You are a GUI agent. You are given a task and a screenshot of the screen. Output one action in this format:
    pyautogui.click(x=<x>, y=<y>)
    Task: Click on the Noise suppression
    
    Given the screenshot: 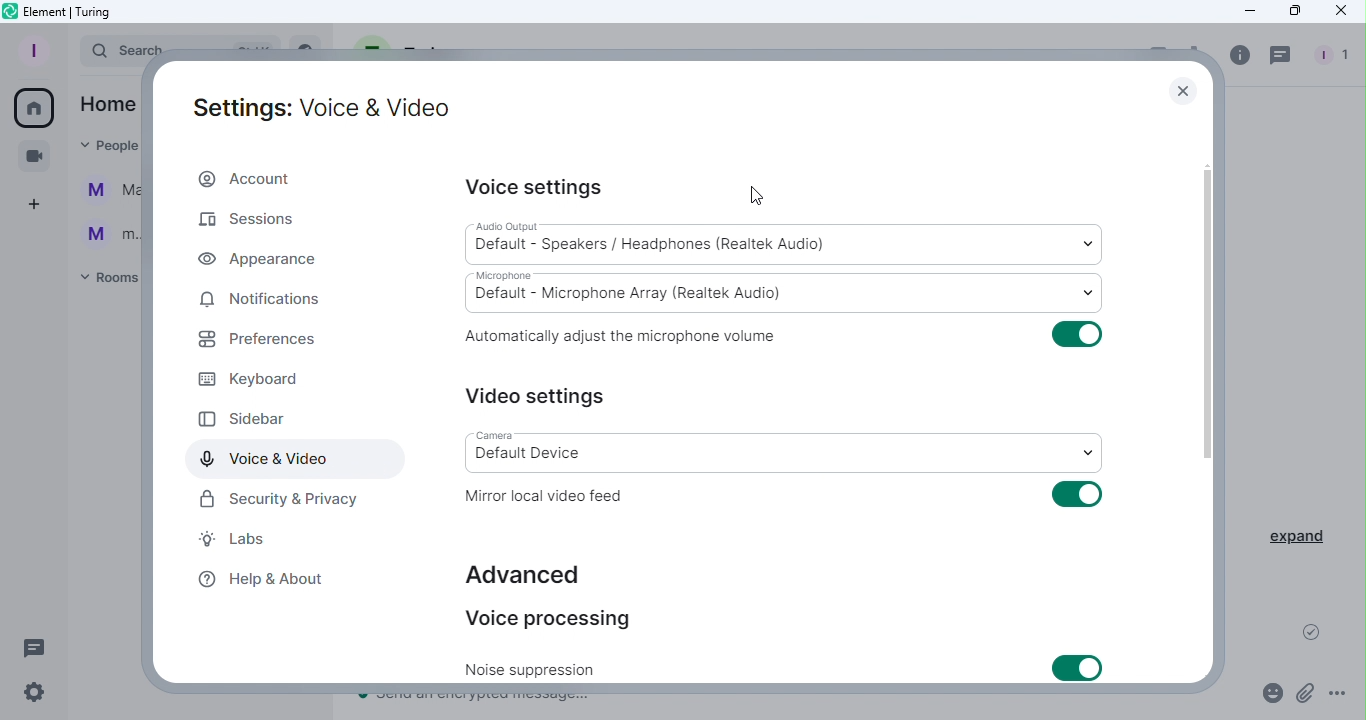 What is the action you would take?
    pyautogui.click(x=542, y=669)
    